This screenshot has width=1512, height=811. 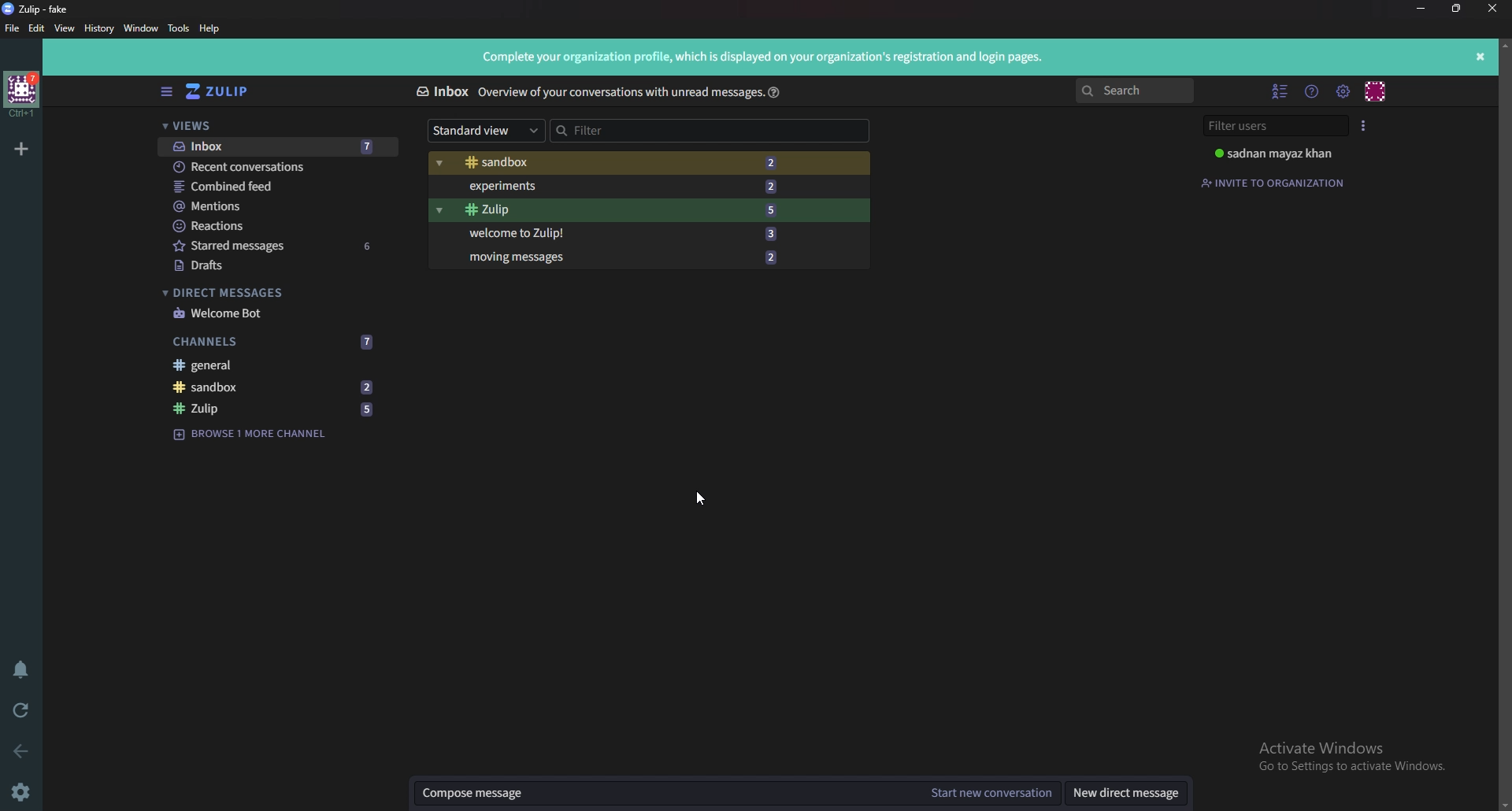 I want to click on close info, so click(x=1481, y=56).